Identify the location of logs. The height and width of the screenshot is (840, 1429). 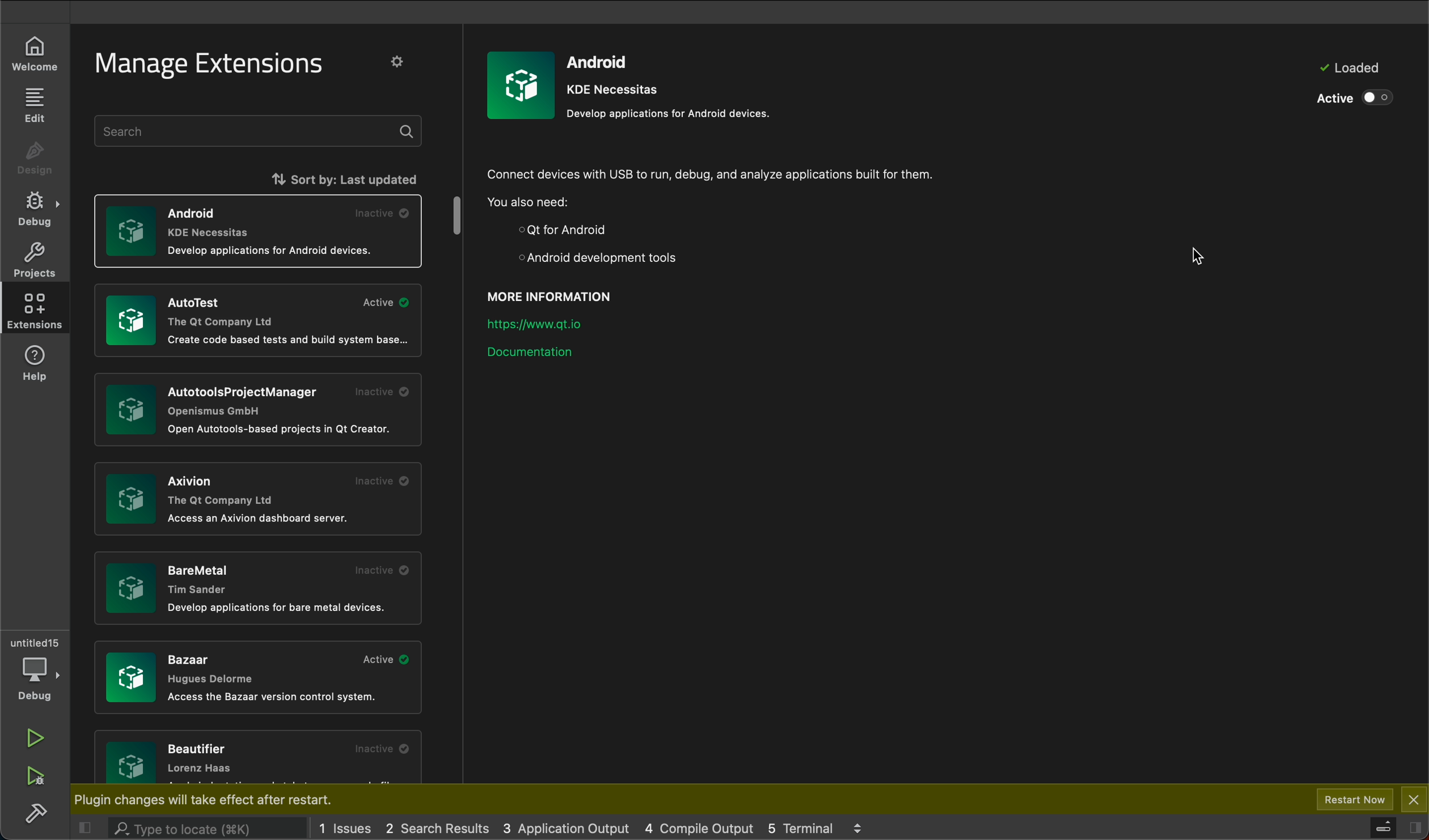
(443, 827).